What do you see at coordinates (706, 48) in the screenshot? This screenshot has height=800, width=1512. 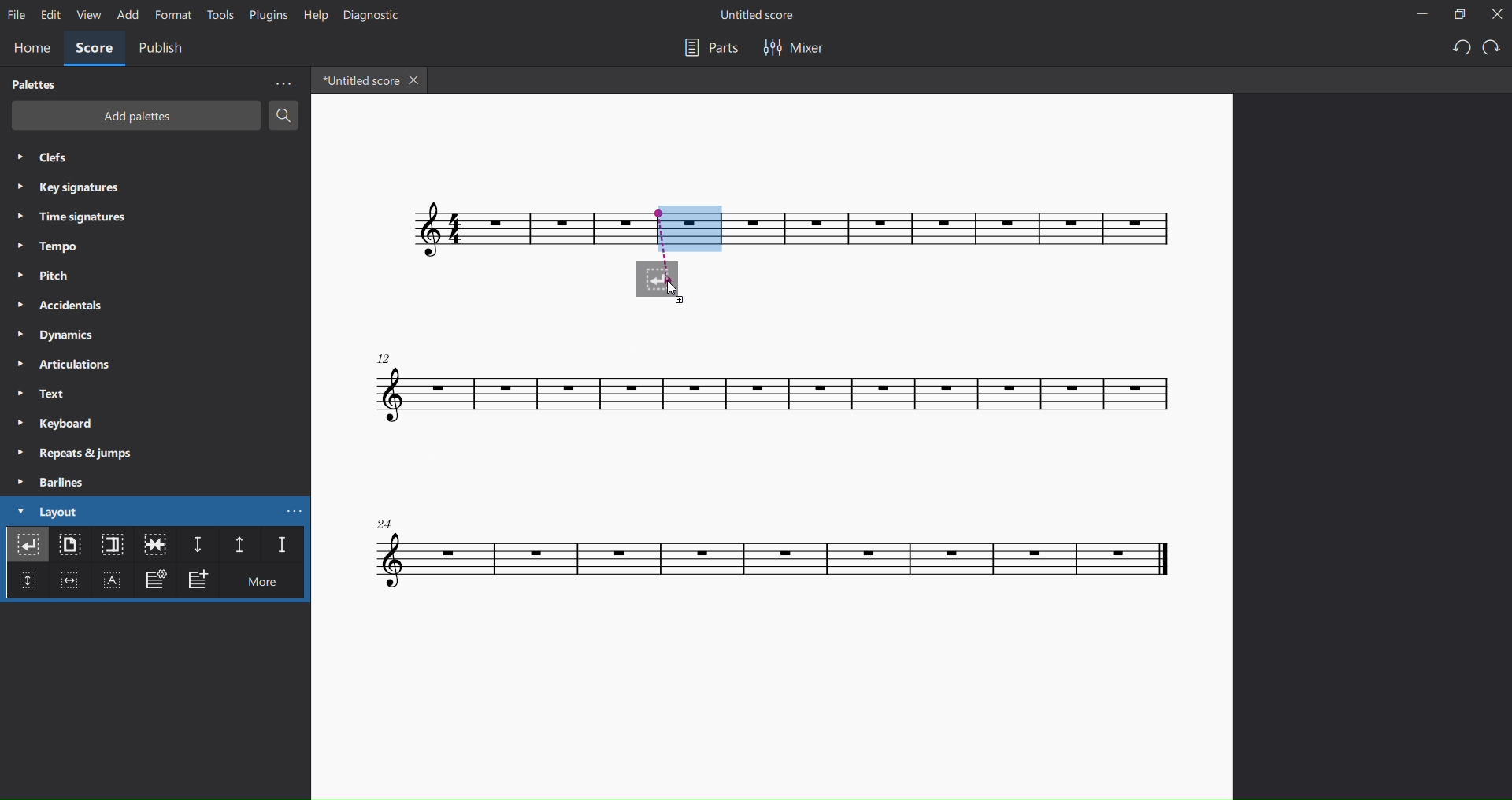 I see `parts` at bounding box center [706, 48].